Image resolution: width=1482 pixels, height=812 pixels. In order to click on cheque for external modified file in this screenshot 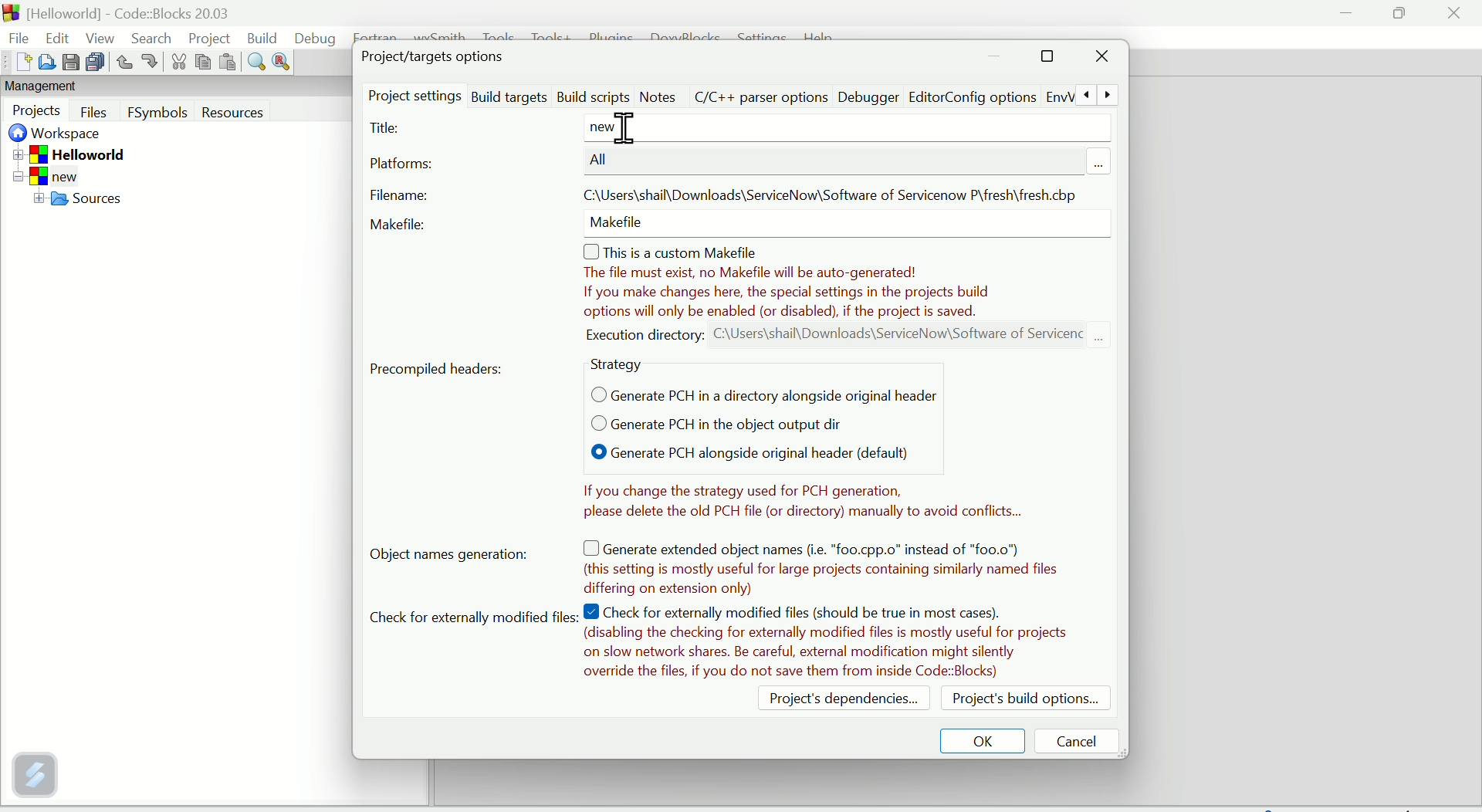, I will do `click(471, 619)`.